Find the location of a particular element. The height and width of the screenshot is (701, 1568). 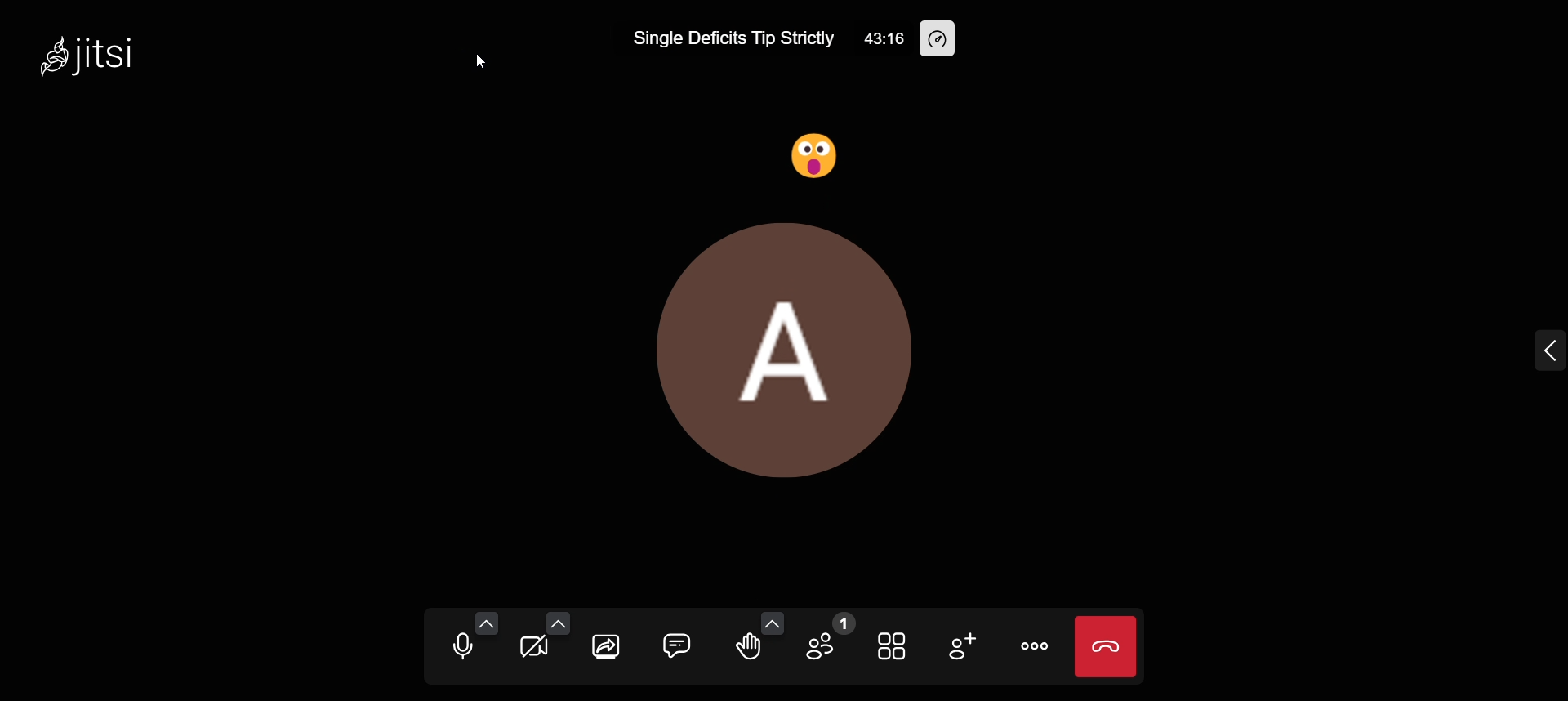

43:16 is located at coordinates (883, 38).